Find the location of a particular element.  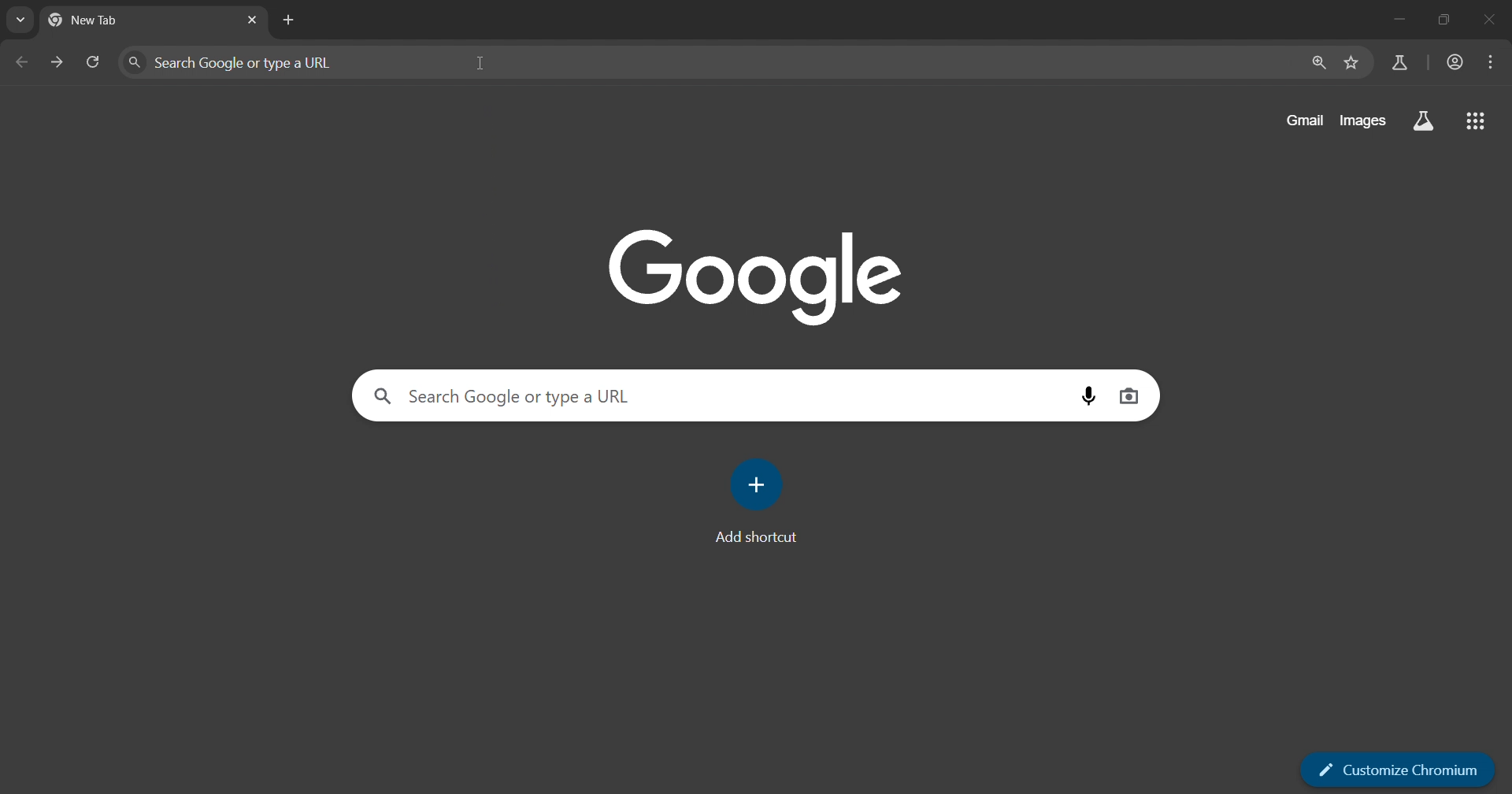

account is located at coordinates (1454, 63).